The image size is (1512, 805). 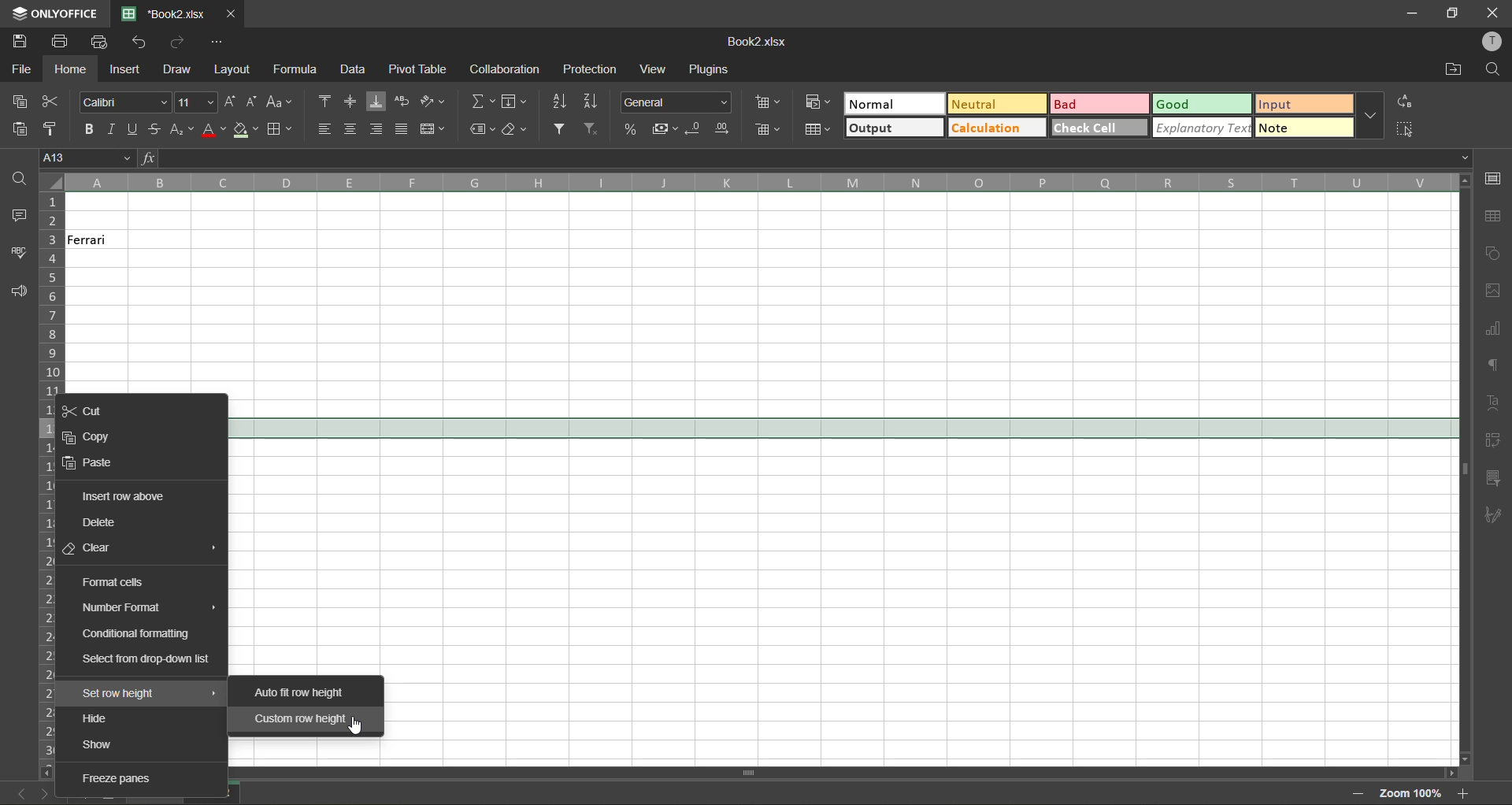 I want to click on layout, so click(x=231, y=70).